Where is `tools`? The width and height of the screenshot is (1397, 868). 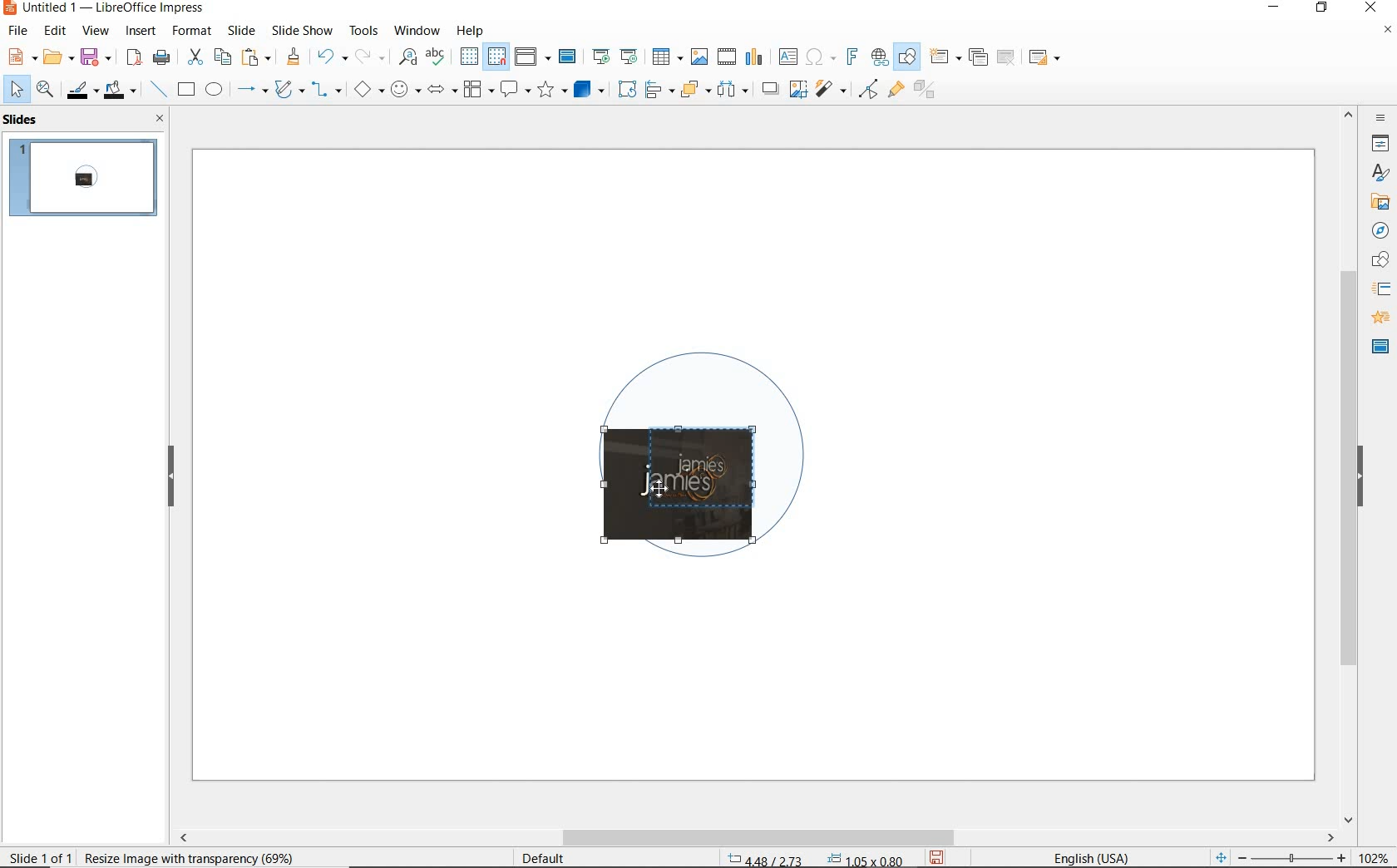
tools is located at coordinates (363, 30).